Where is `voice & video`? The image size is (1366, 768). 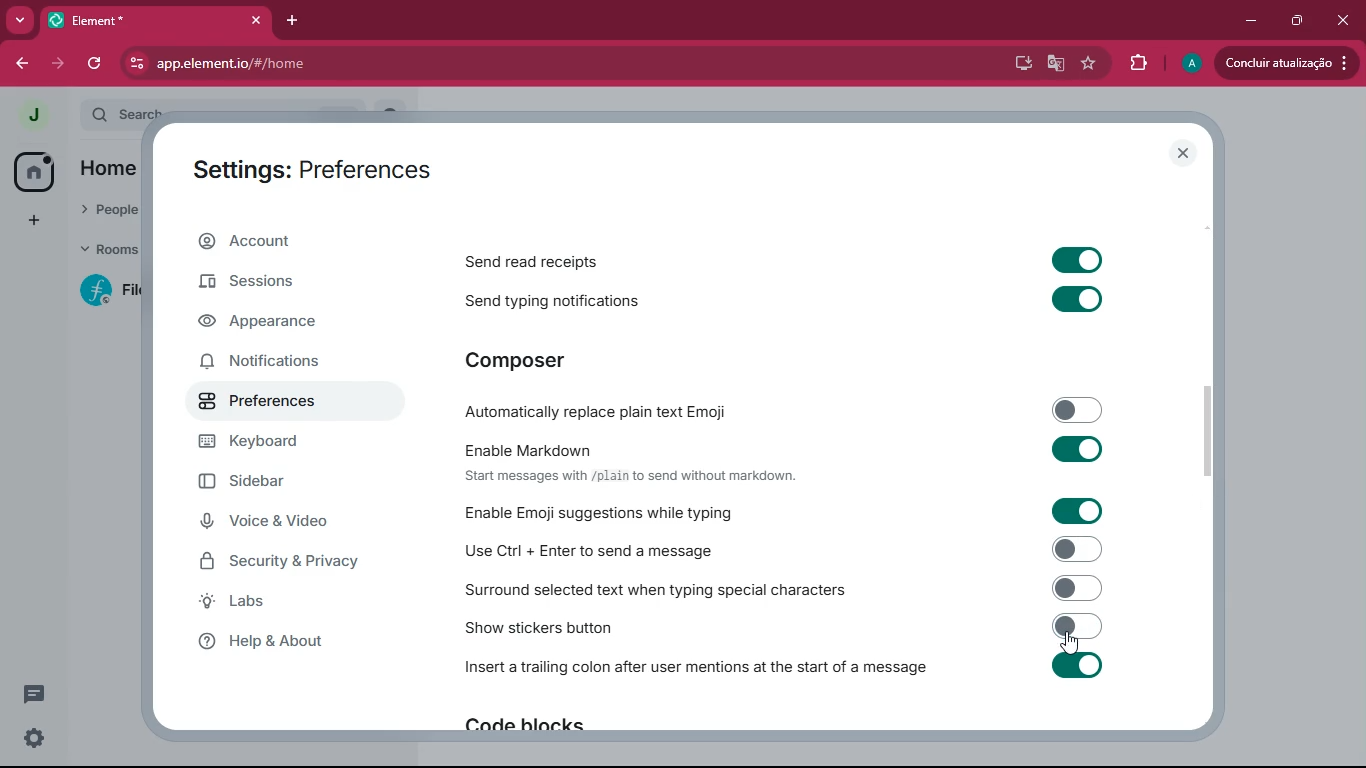
voice & video is located at coordinates (280, 523).